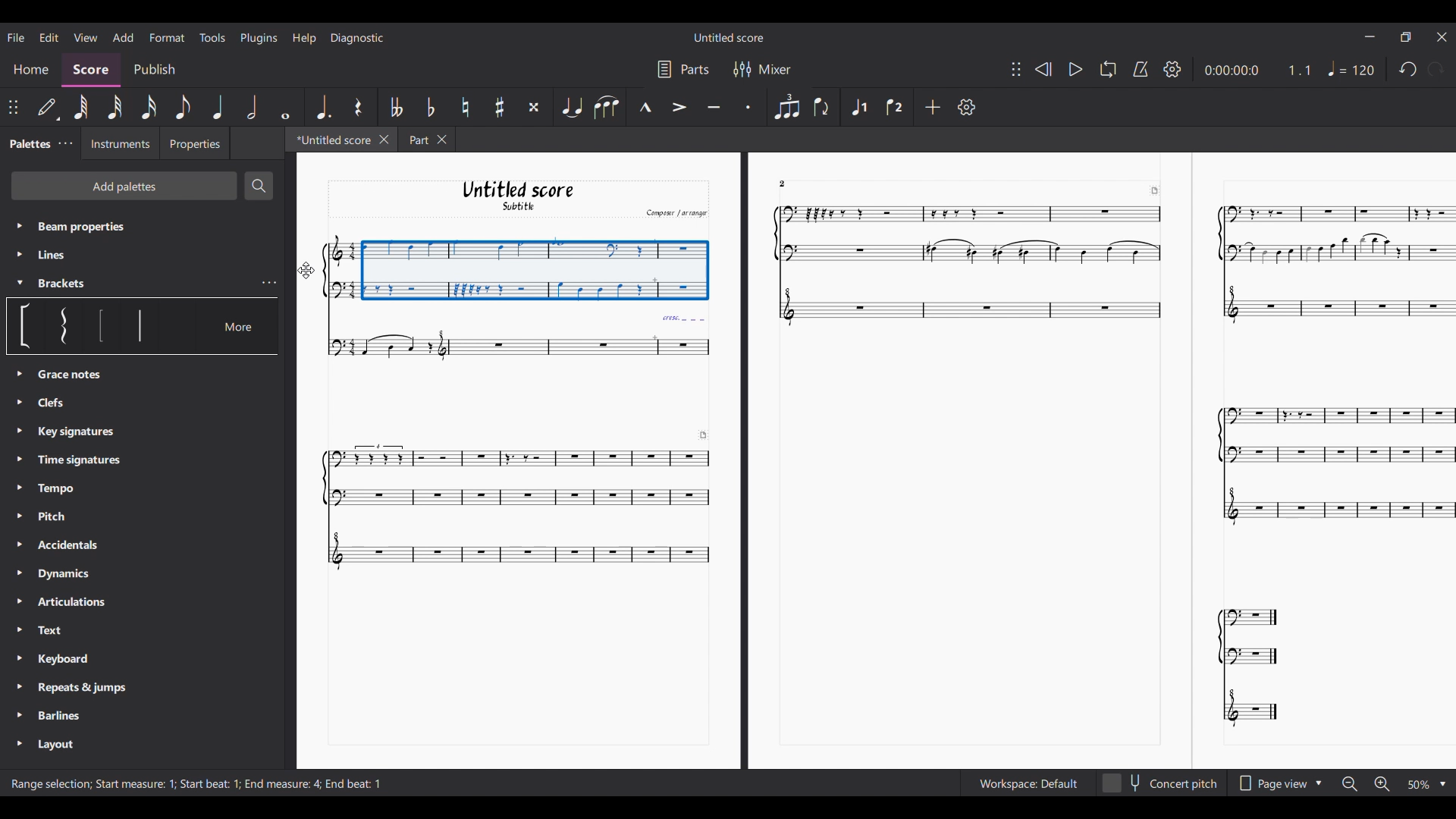 The height and width of the screenshot is (819, 1456). I want to click on End beat :1, so click(354, 783).